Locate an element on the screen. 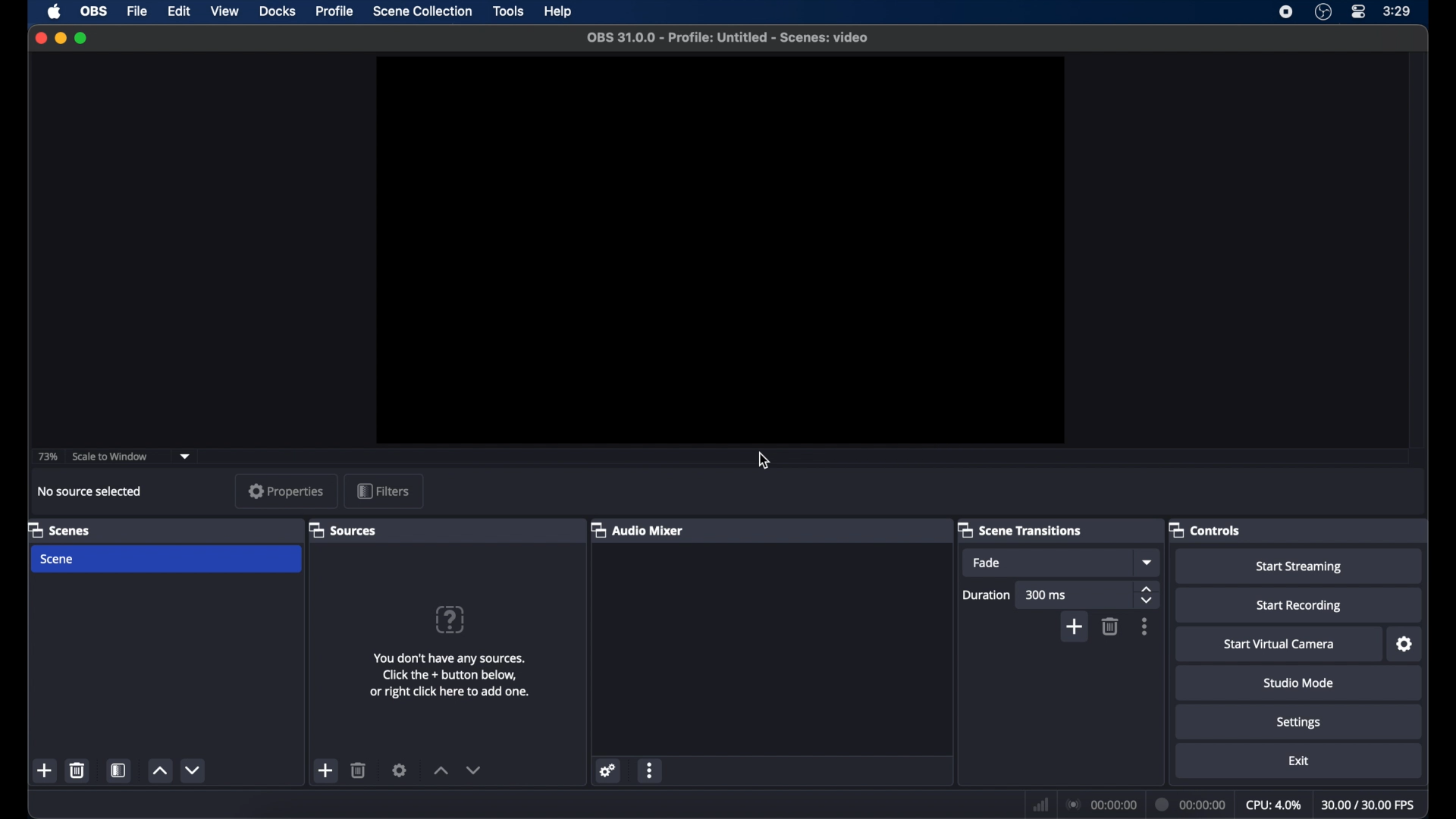 Image resolution: width=1456 pixels, height=819 pixels. audio mixer is located at coordinates (638, 529).